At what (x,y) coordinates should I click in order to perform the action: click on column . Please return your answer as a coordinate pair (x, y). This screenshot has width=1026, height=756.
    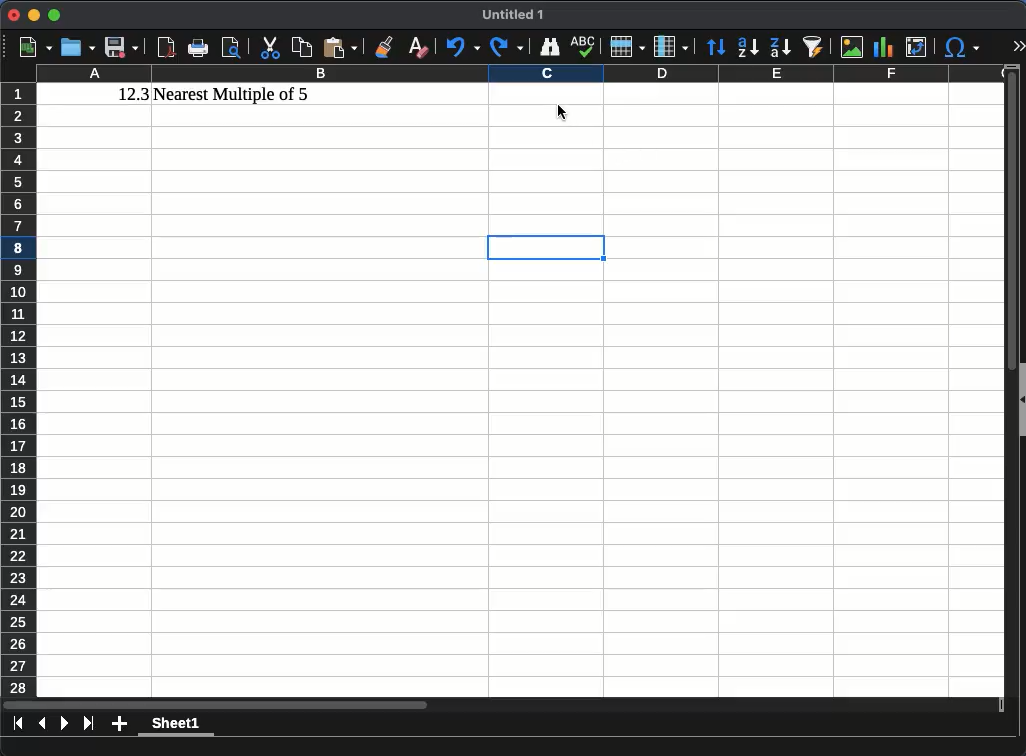
    Looking at the image, I should click on (524, 75).